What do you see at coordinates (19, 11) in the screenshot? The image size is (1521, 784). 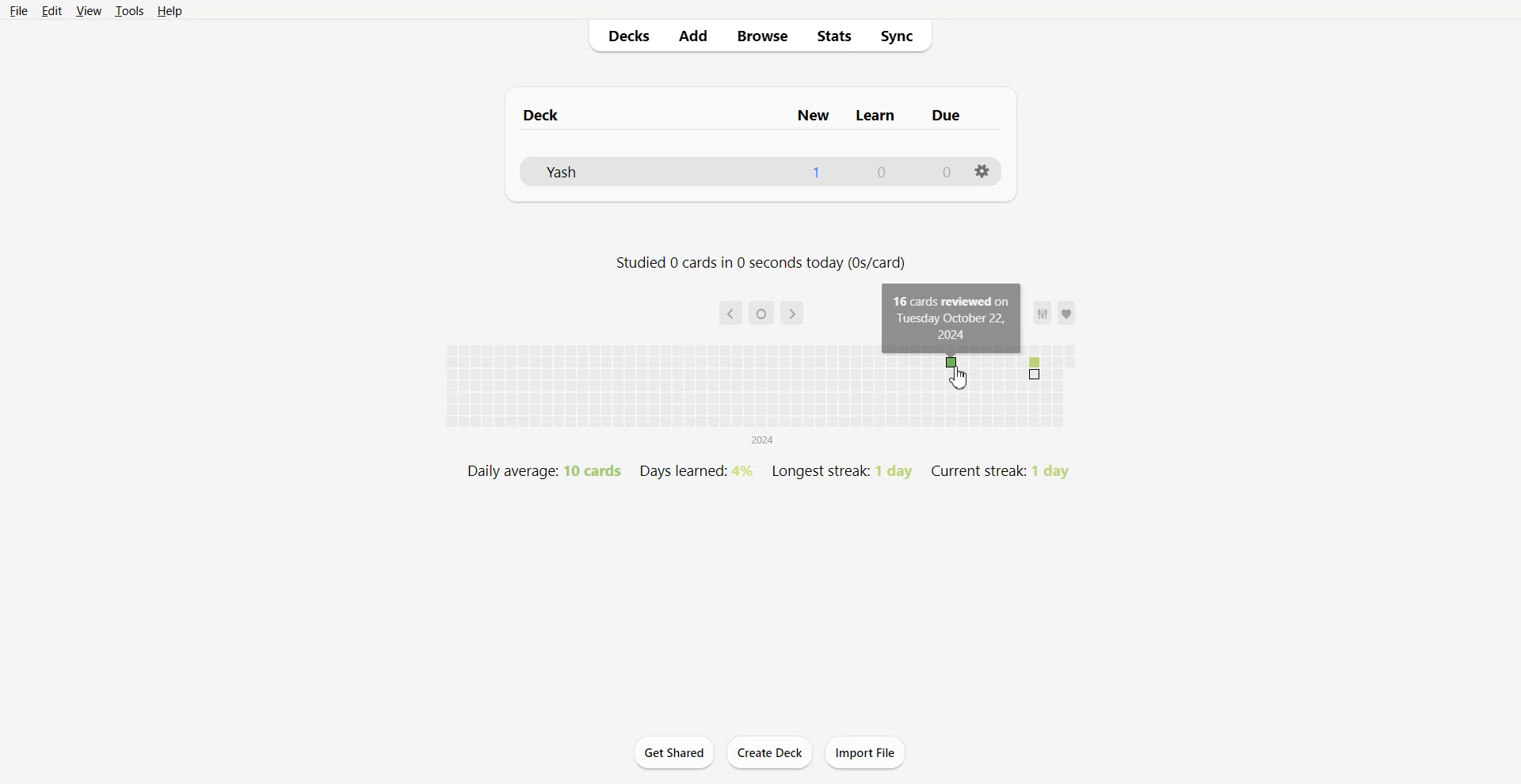 I see `File` at bounding box center [19, 11].